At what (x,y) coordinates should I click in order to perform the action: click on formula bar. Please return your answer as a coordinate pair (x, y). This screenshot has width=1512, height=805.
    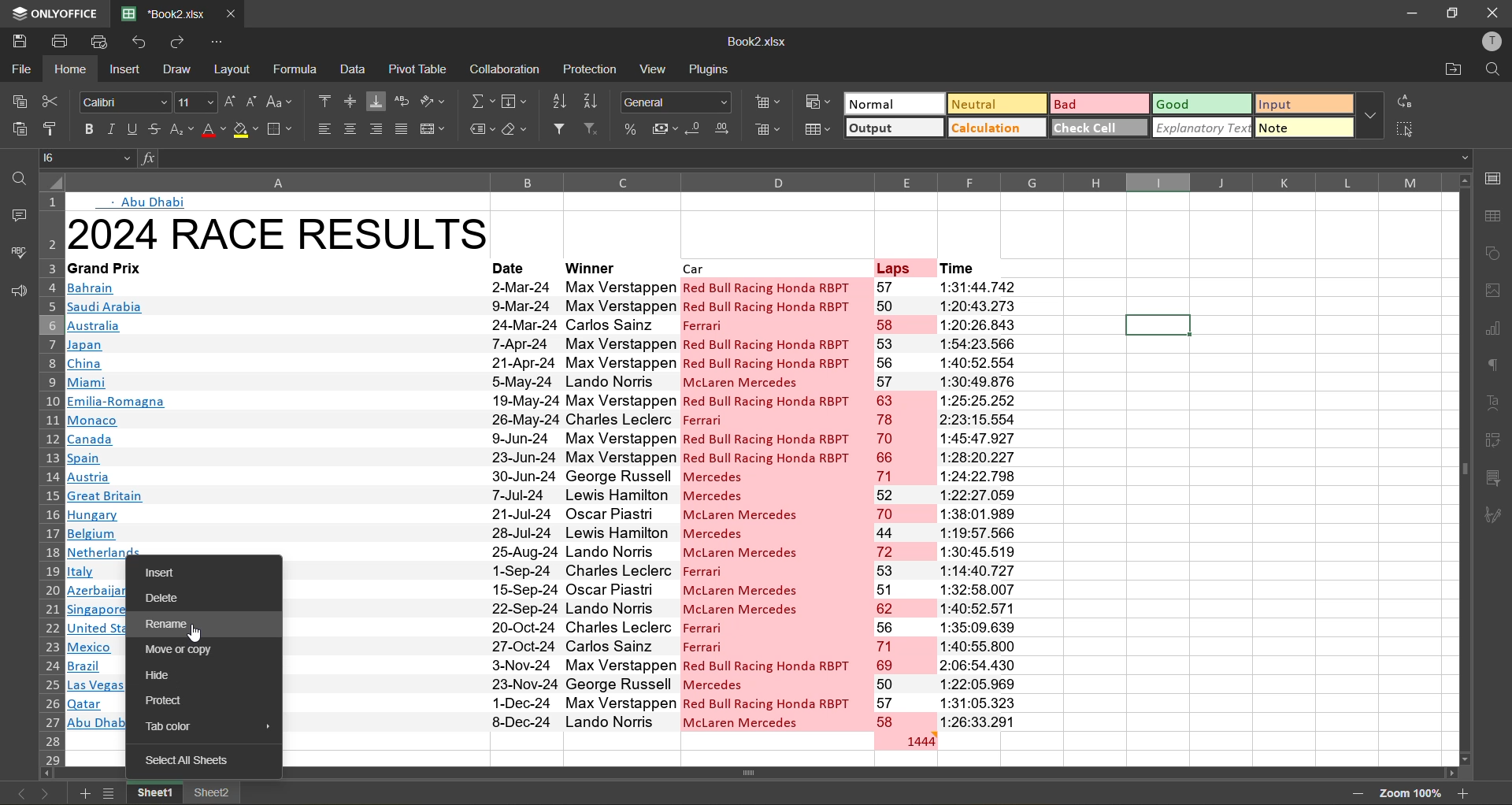
    Looking at the image, I should click on (797, 158).